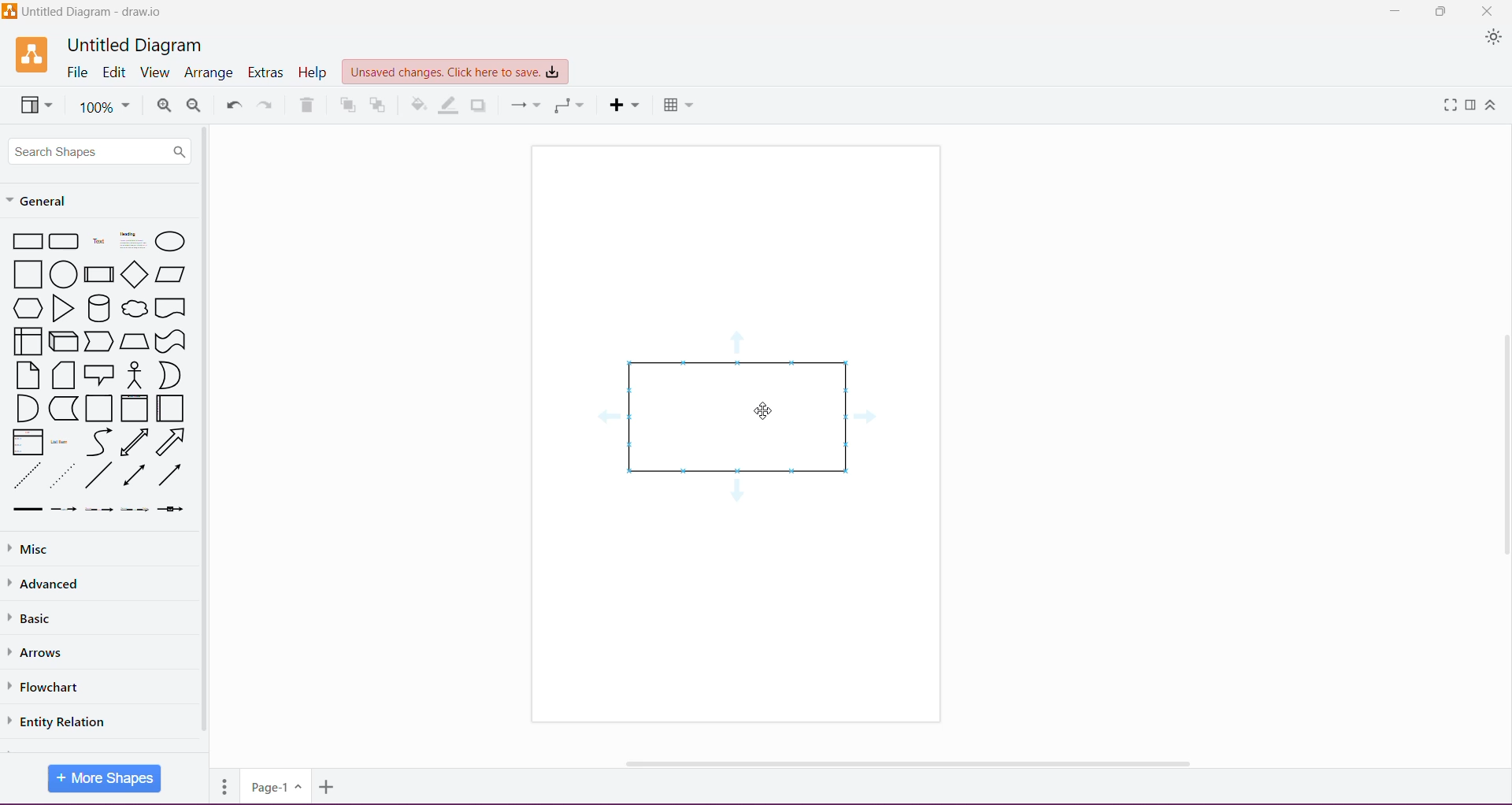  What do you see at coordinates (50, 687) in the screenshot?
I see `Flowchart` at bounding box center [50, 687].